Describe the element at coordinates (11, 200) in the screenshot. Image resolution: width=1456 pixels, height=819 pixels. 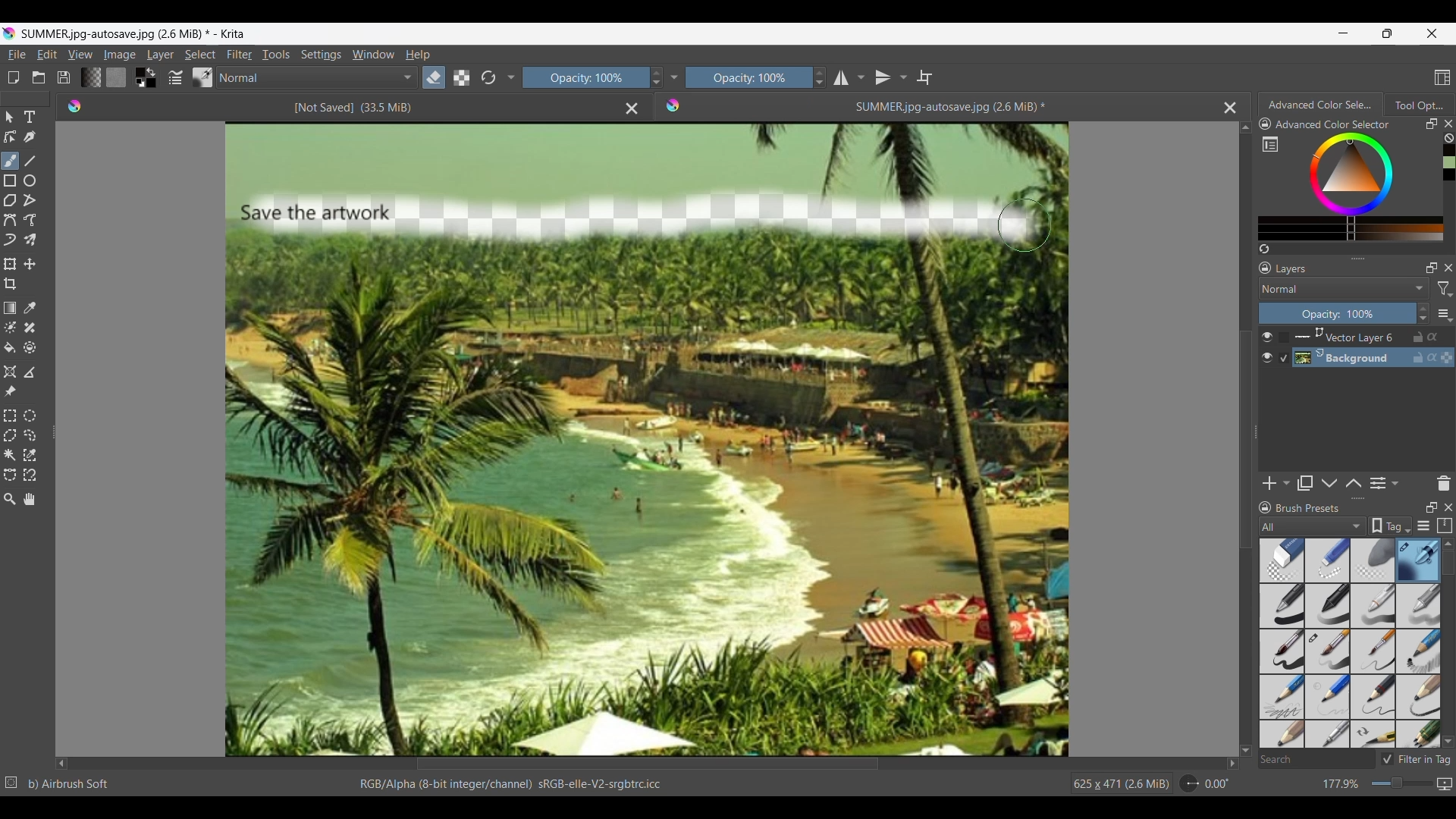
I see `Polygon tool` at that location.